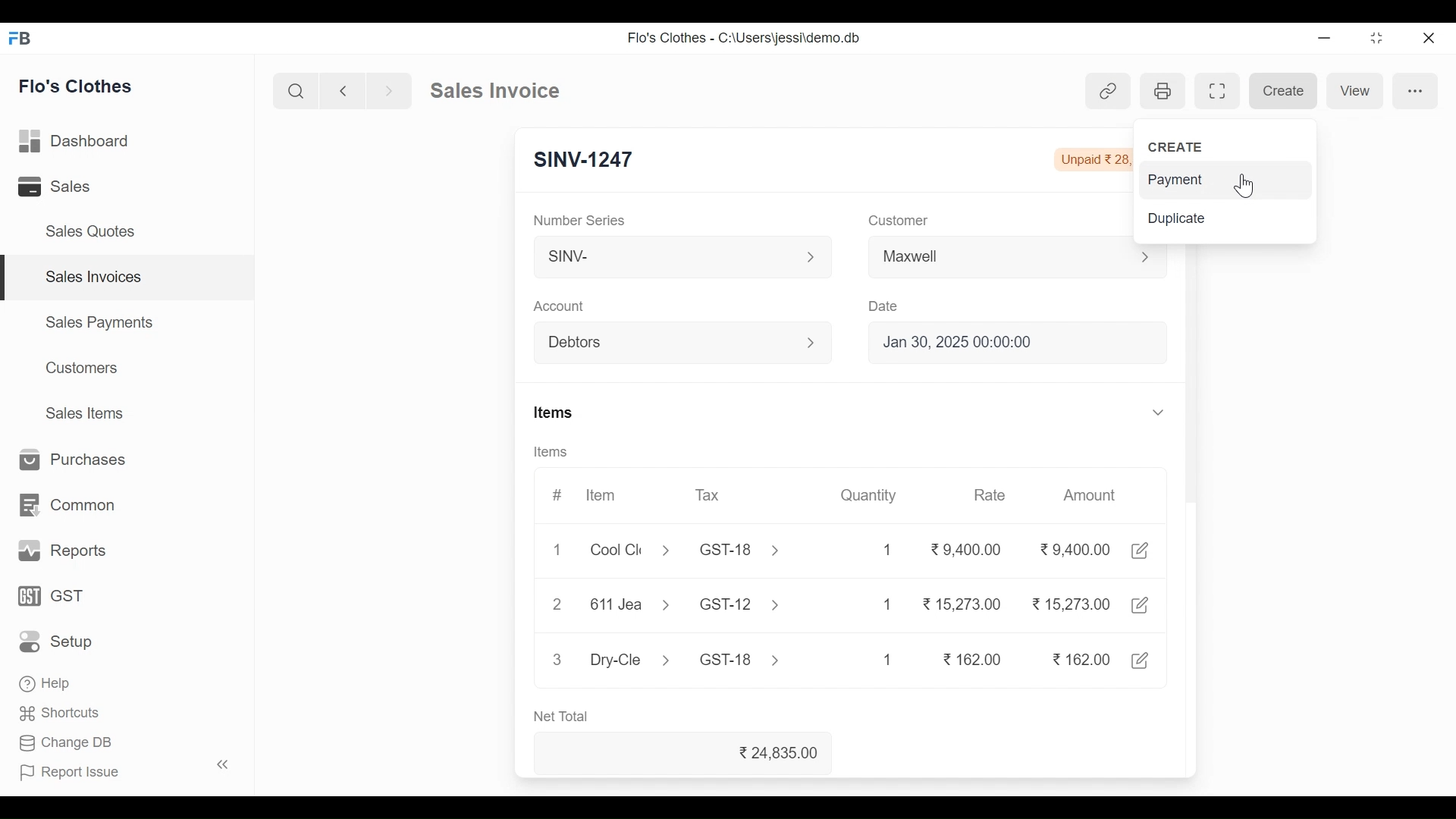 The width and height of the screenshot is (1456, 819). What do you see at coordinates (1283, 89) in the screenshot?
I see `Create` at bounding box center [1283, 89].